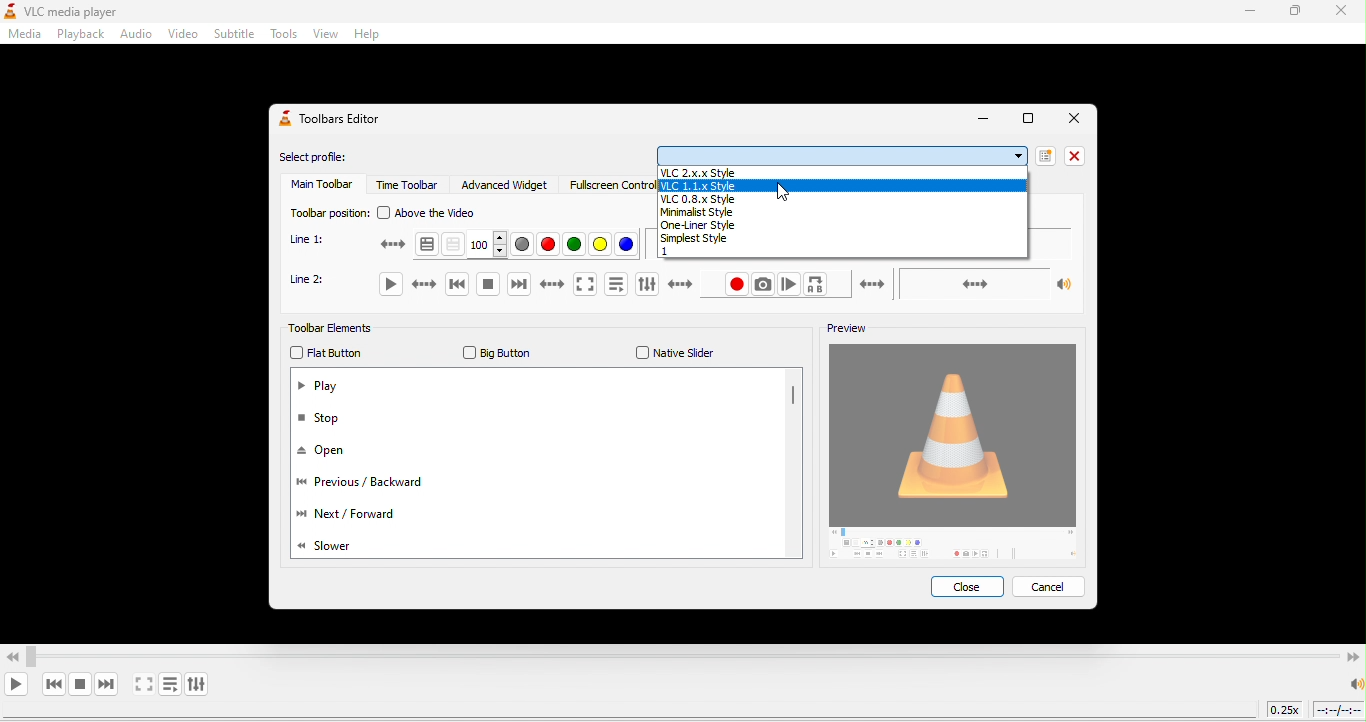  I want to click on red, so click(550, 245).